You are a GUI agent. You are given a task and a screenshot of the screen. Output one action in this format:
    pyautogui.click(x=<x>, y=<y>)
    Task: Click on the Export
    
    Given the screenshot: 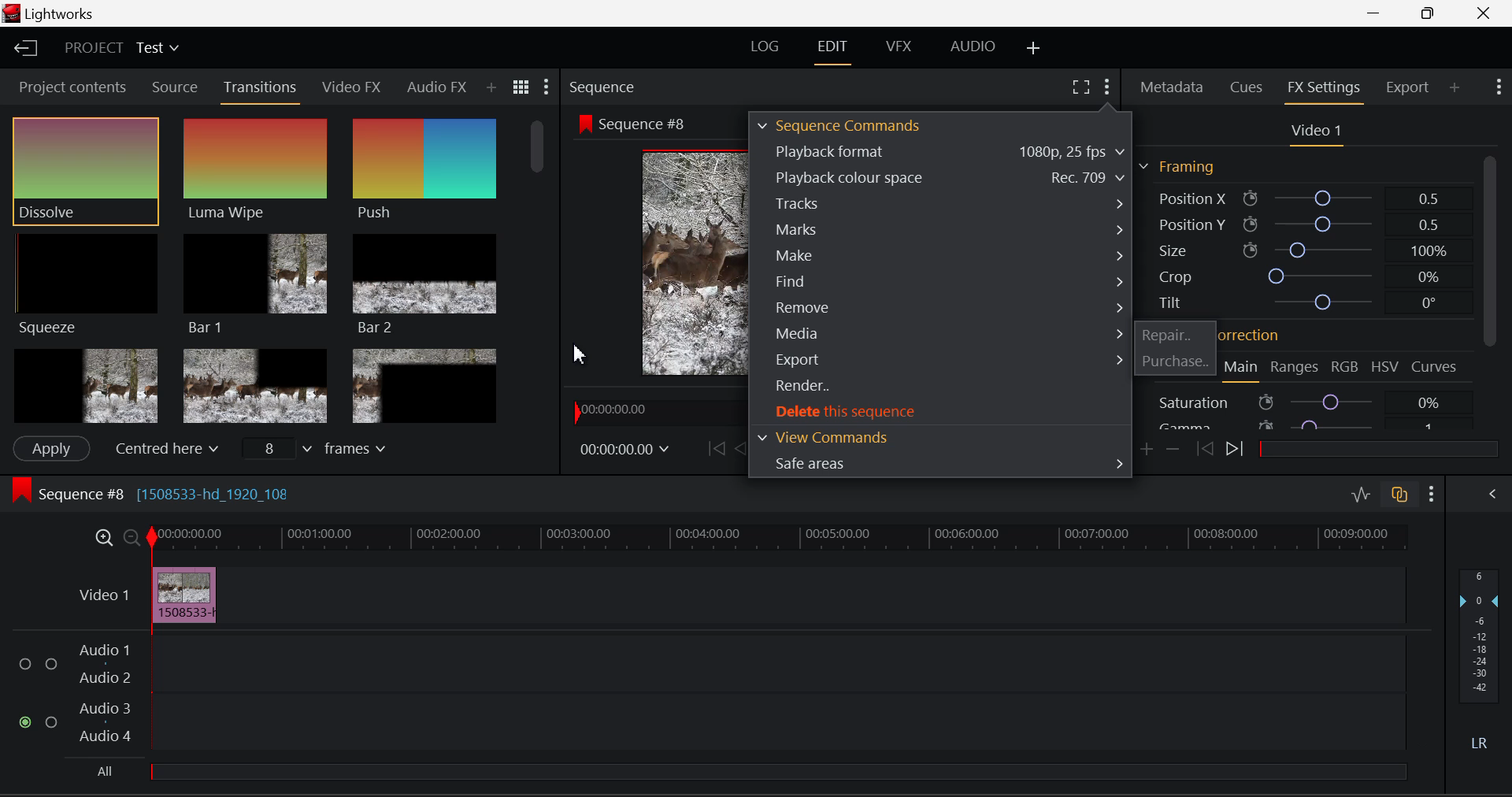 What is the action you would take?
    pyautogui.click(x=941, y=358)
    